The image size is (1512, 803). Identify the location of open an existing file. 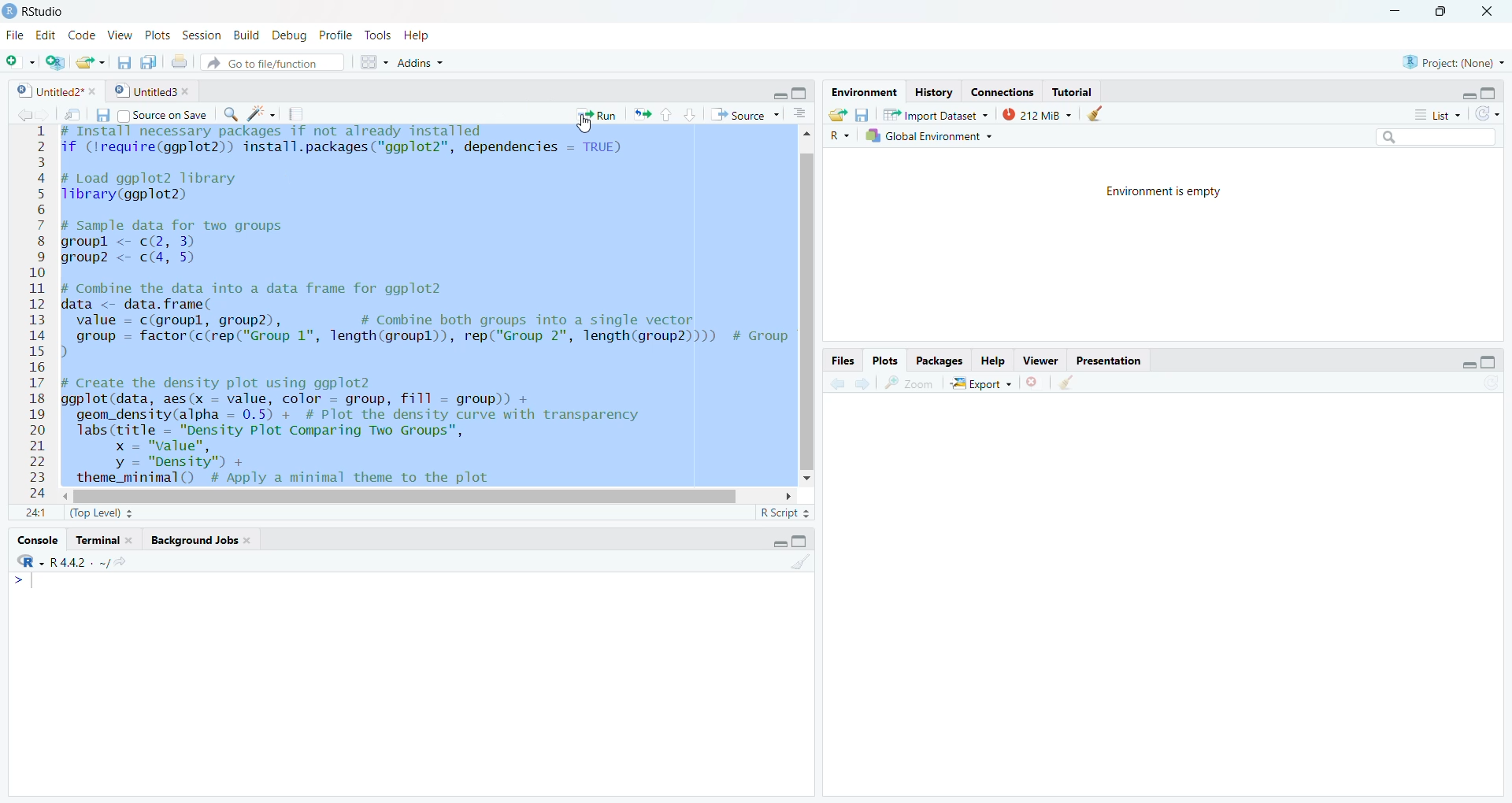
(92, 63).